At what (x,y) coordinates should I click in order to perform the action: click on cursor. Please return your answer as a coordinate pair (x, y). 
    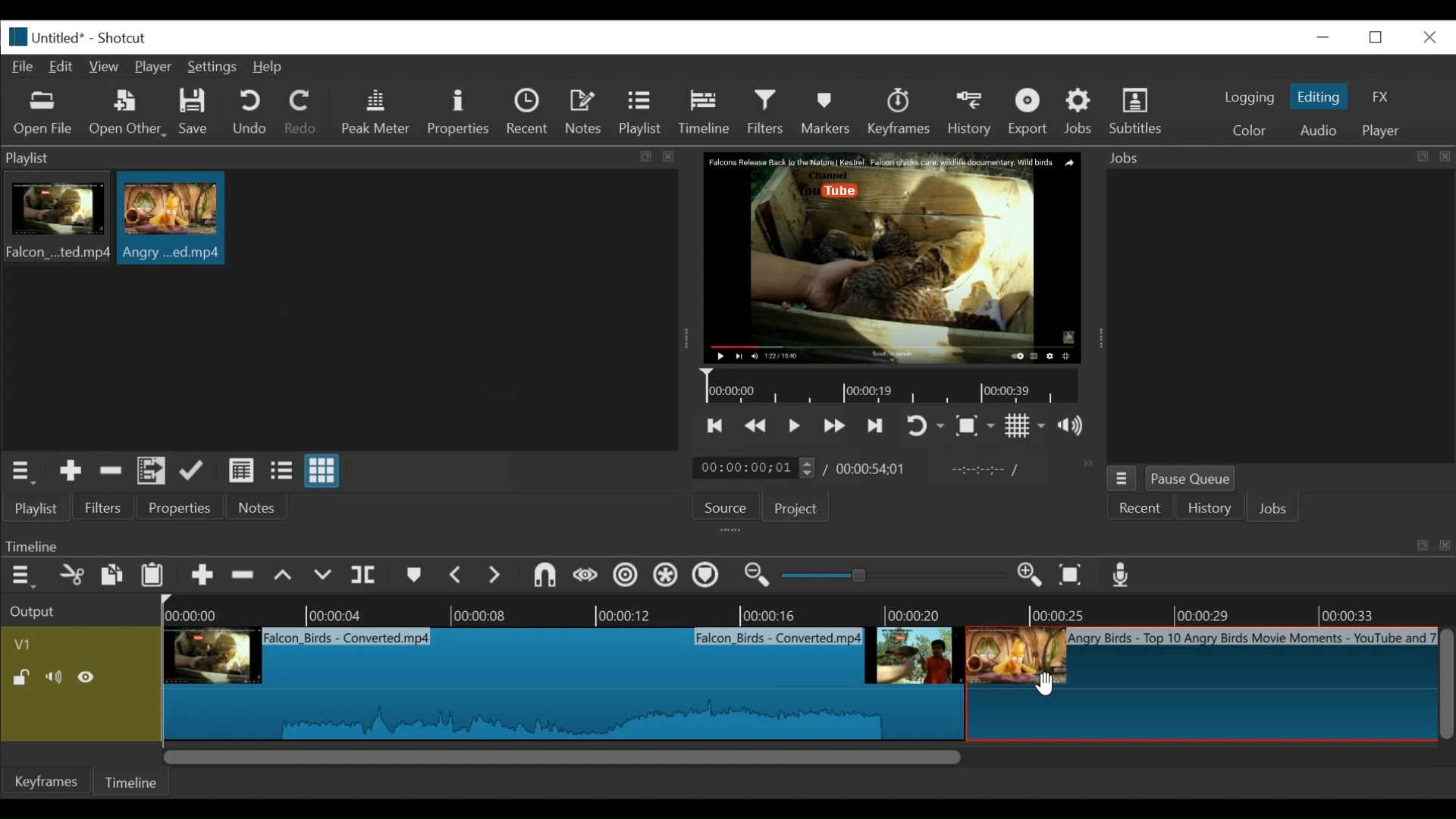
    Looking at the image, I should click on (1042, 683).